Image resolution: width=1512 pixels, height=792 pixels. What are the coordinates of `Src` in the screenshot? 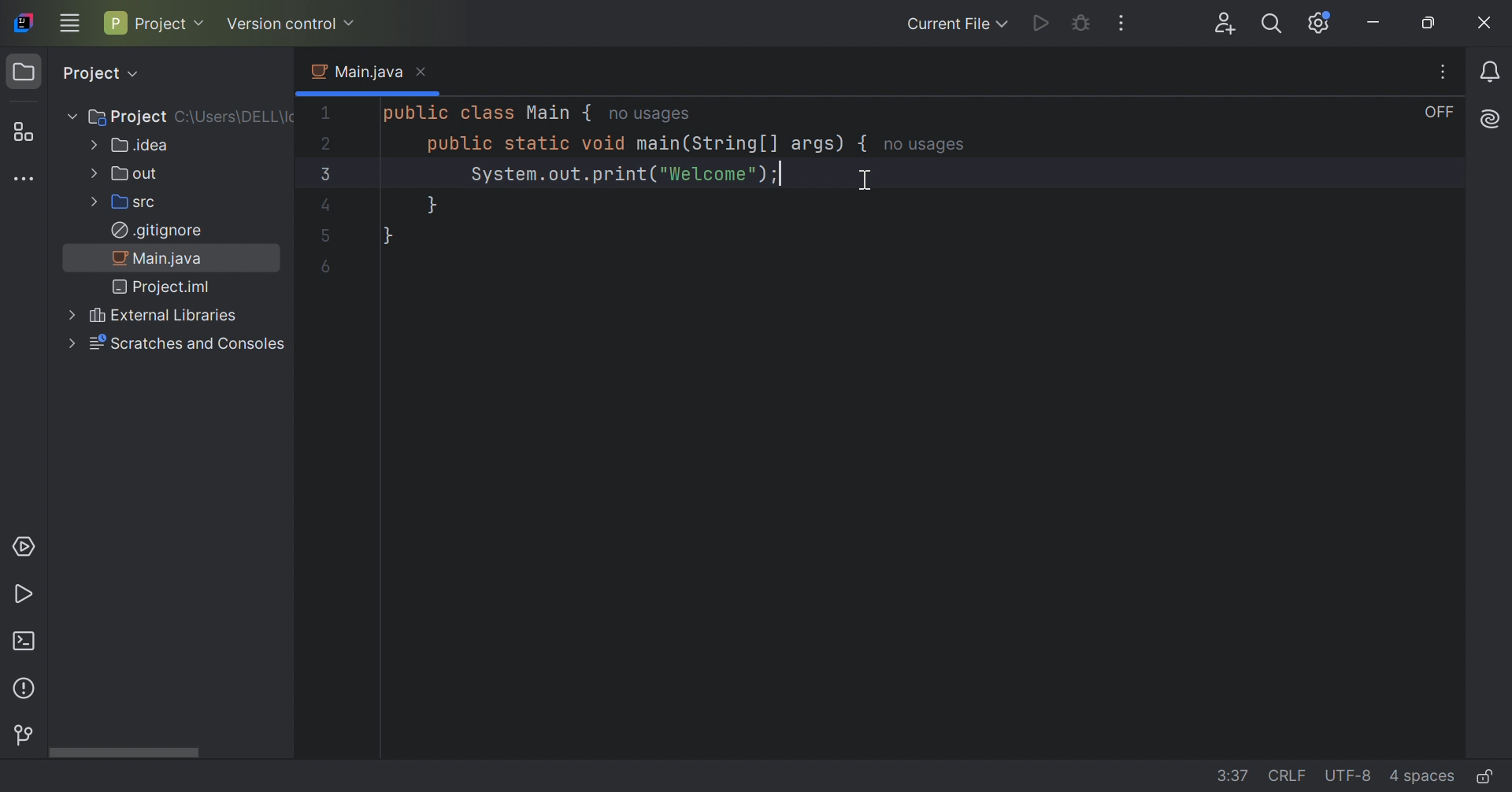 It's located at (122, 204).